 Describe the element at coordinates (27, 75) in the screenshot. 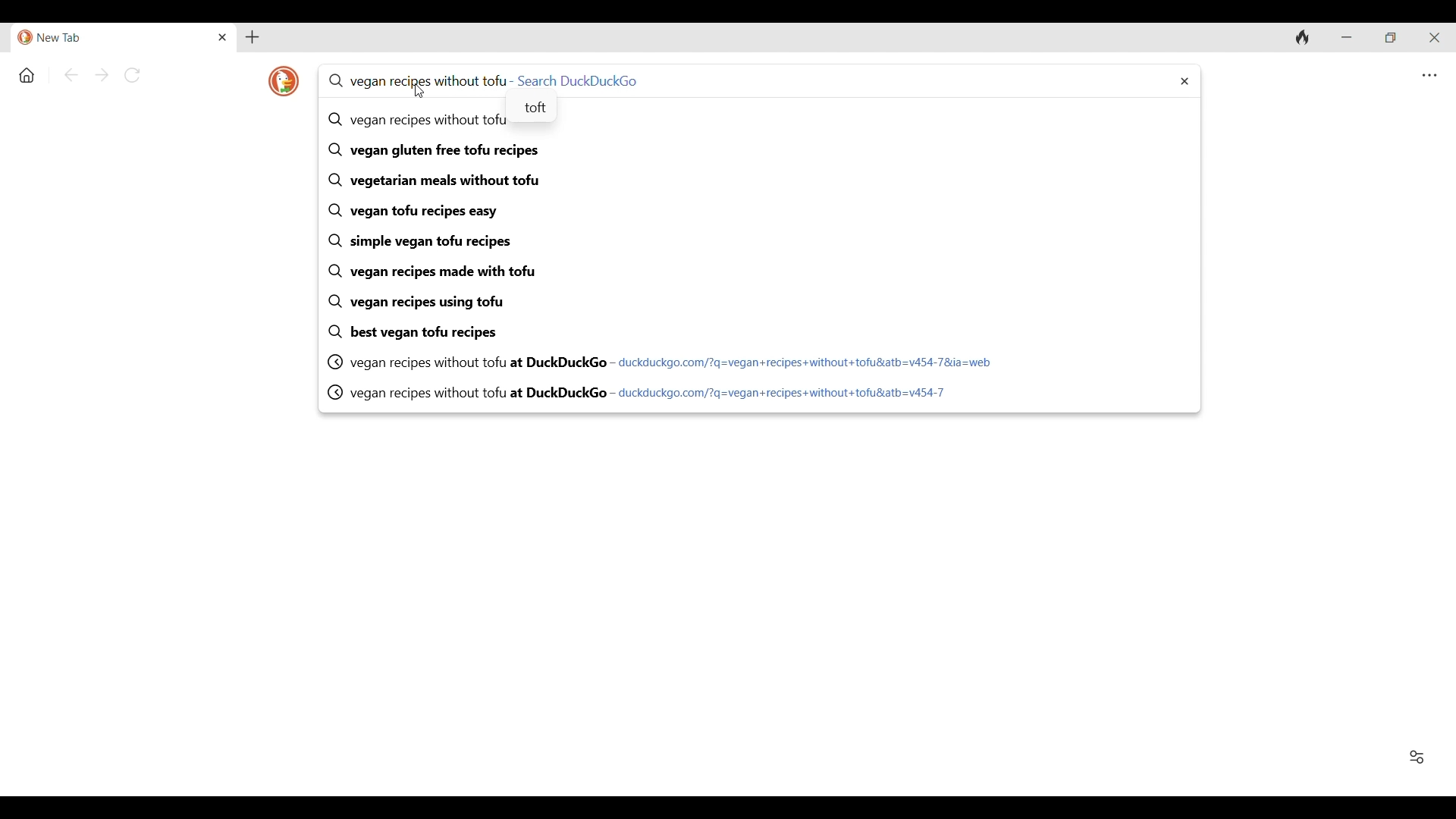

I see `Home` at that location.